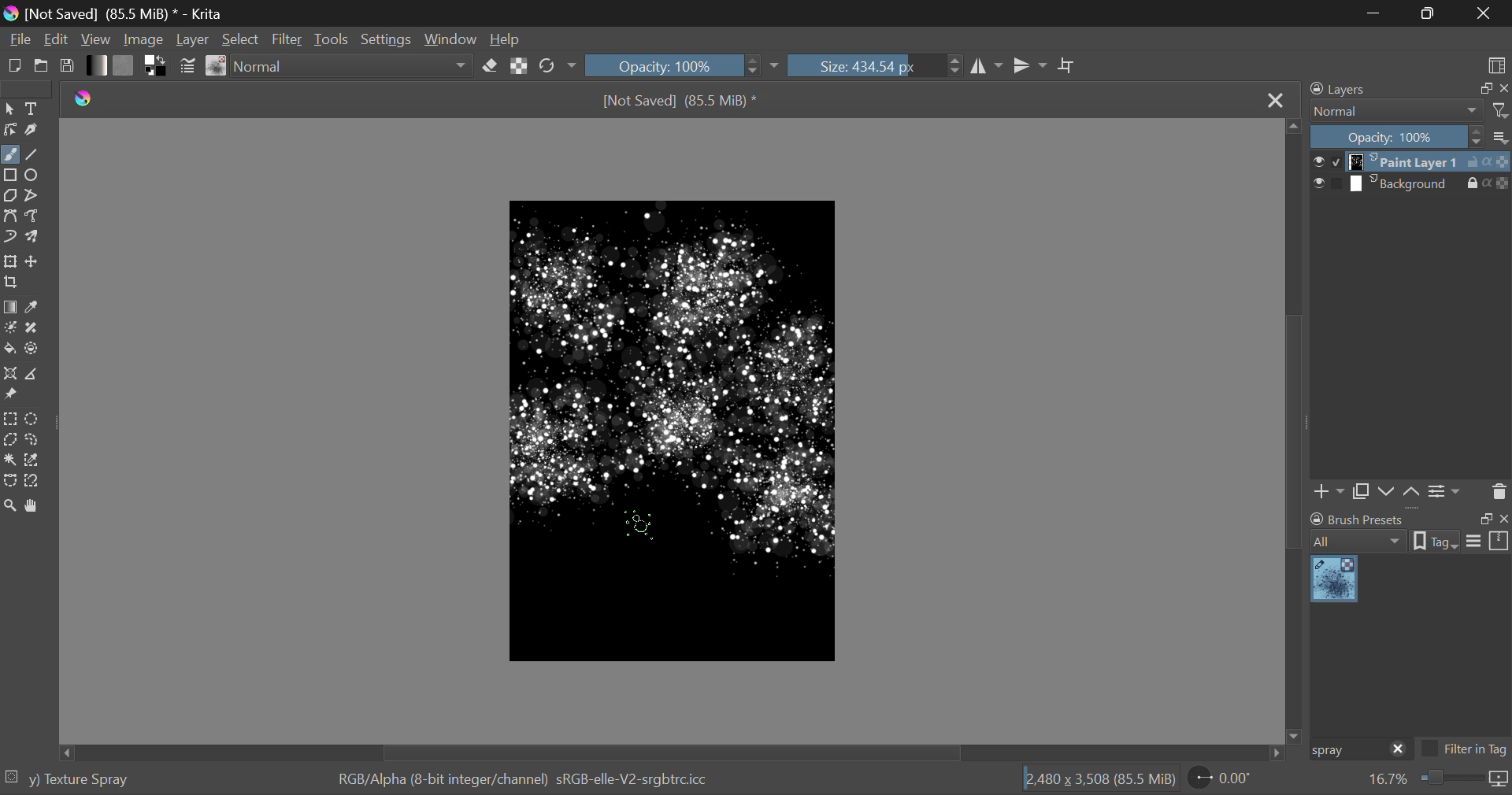  Describe the element at coordinates (194, 39) in the screenshot. I see `Layer` at that location.